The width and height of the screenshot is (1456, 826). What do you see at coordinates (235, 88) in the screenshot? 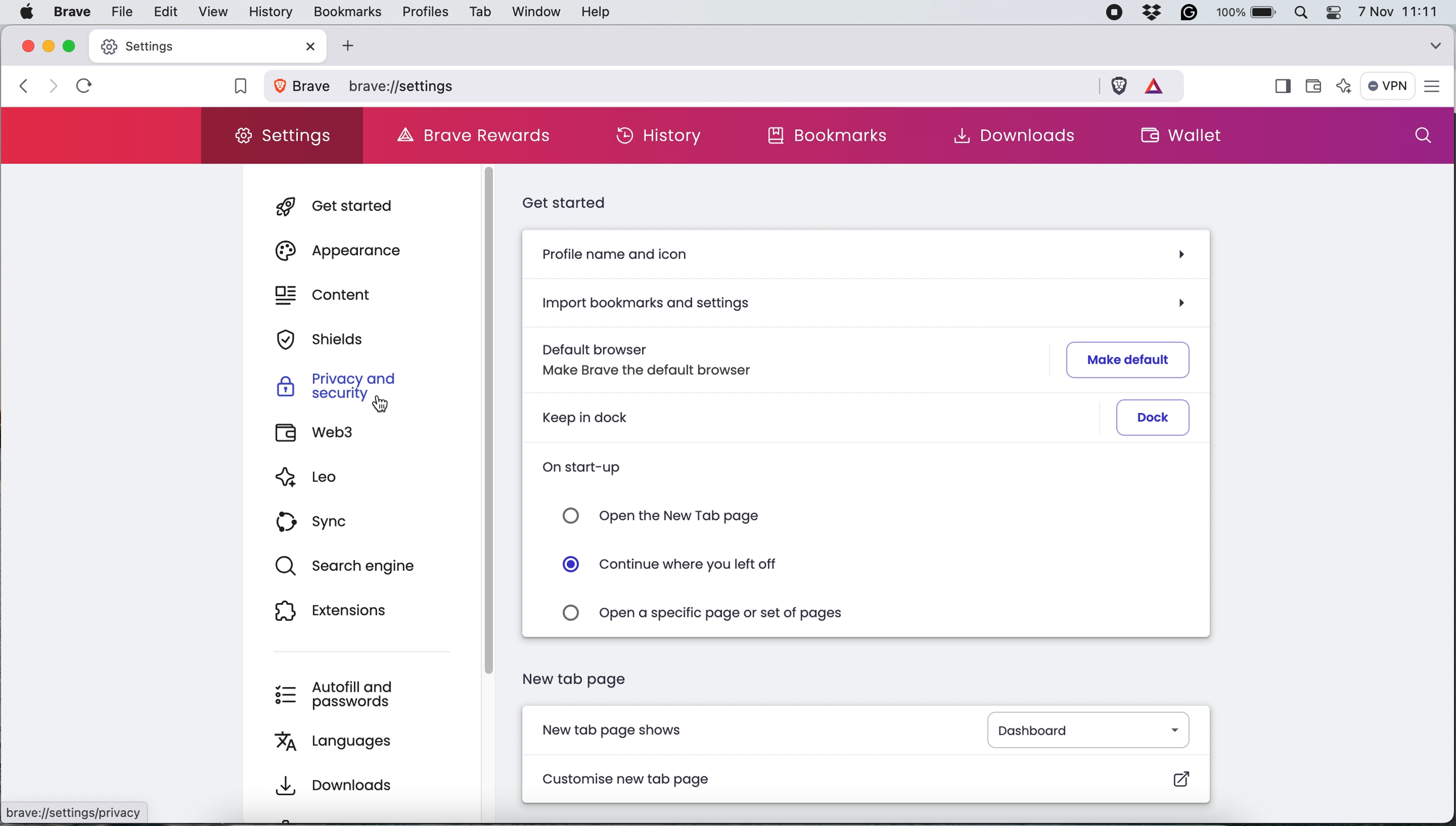
I see `bookmark` at bounding box center [235, 88].